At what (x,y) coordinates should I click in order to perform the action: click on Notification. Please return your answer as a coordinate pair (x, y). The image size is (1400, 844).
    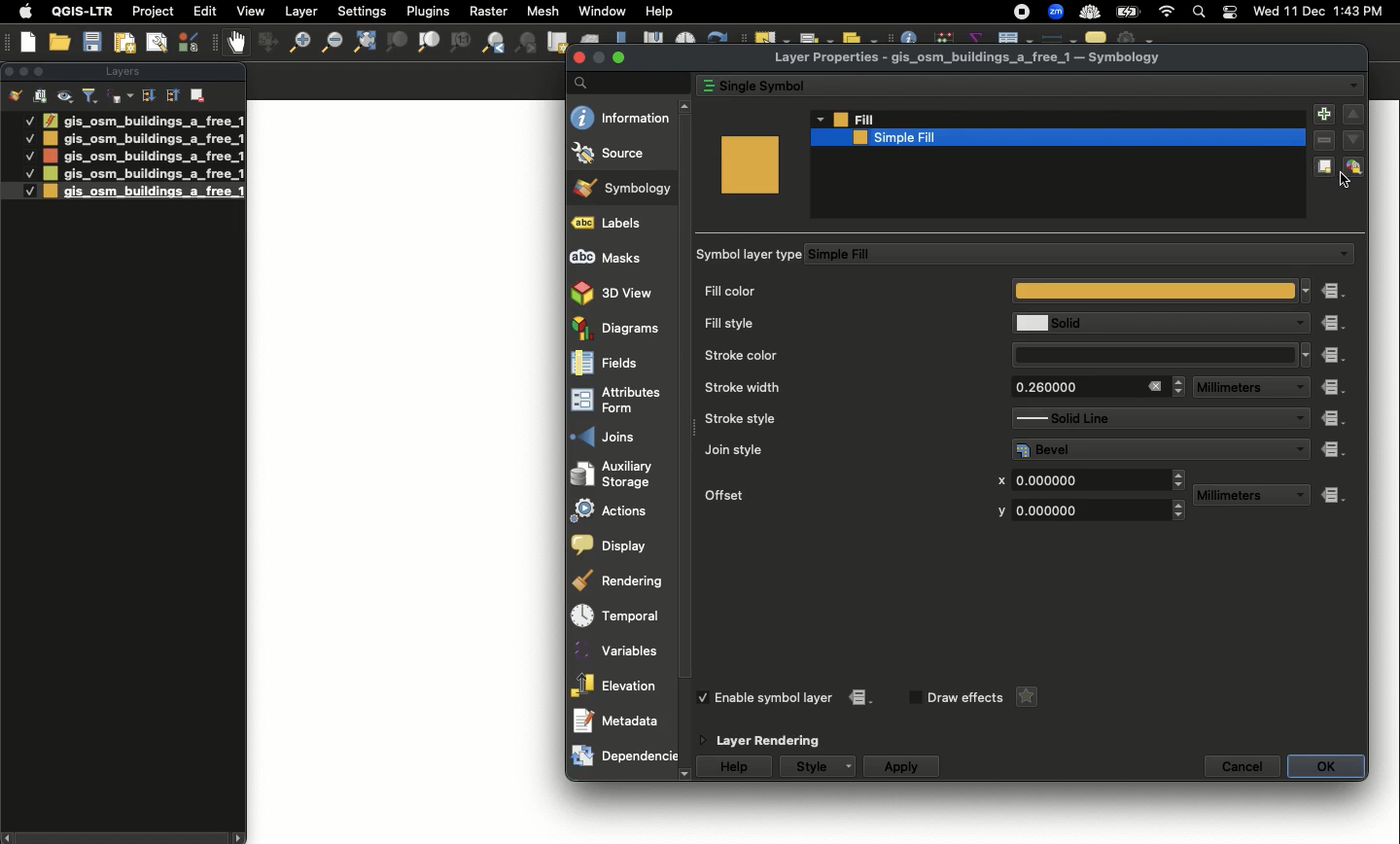
    Looking at the image, I should click on (1227, 13).